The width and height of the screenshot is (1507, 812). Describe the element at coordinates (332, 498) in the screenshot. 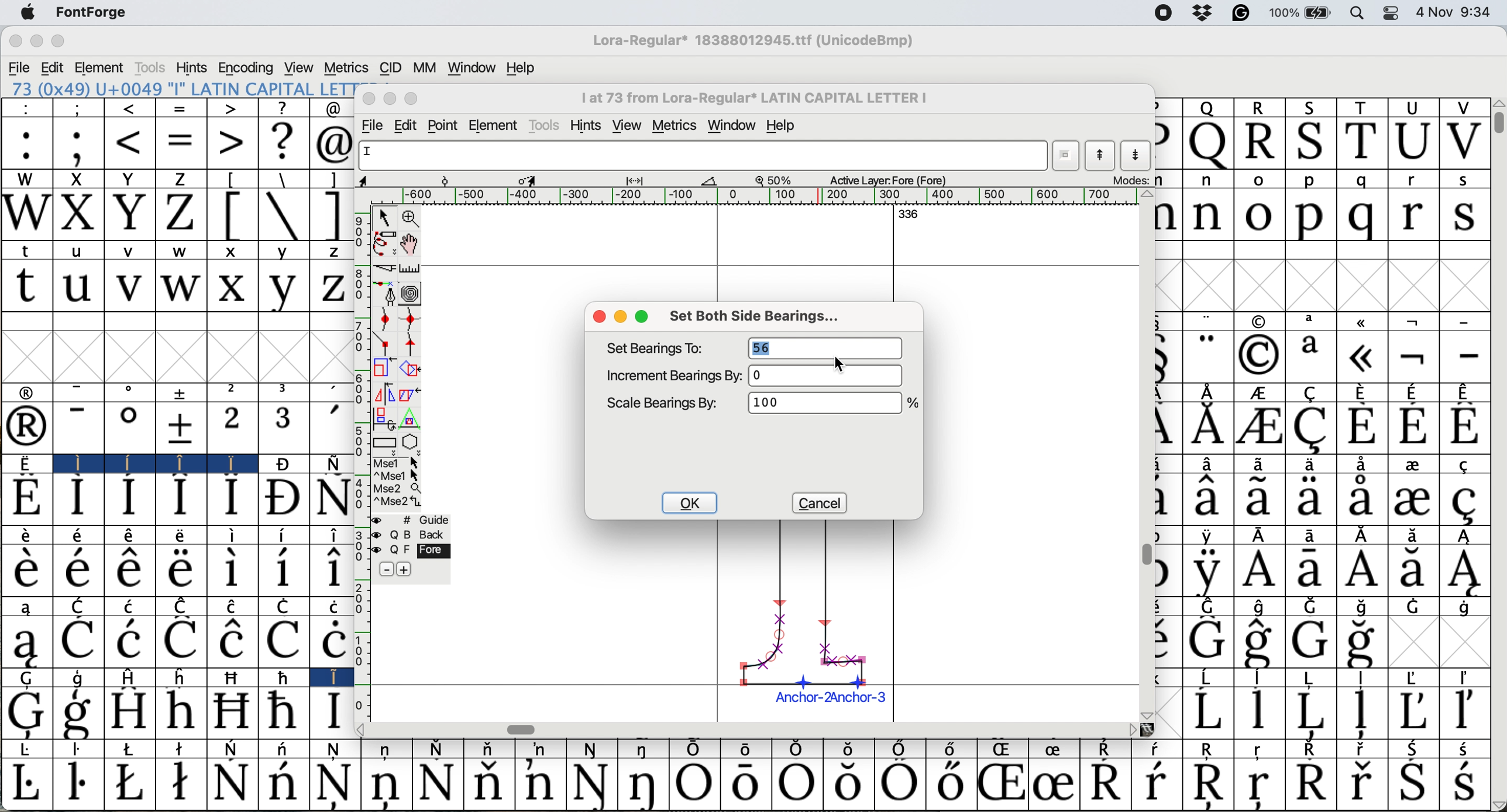

I see `Symbol` at that location.